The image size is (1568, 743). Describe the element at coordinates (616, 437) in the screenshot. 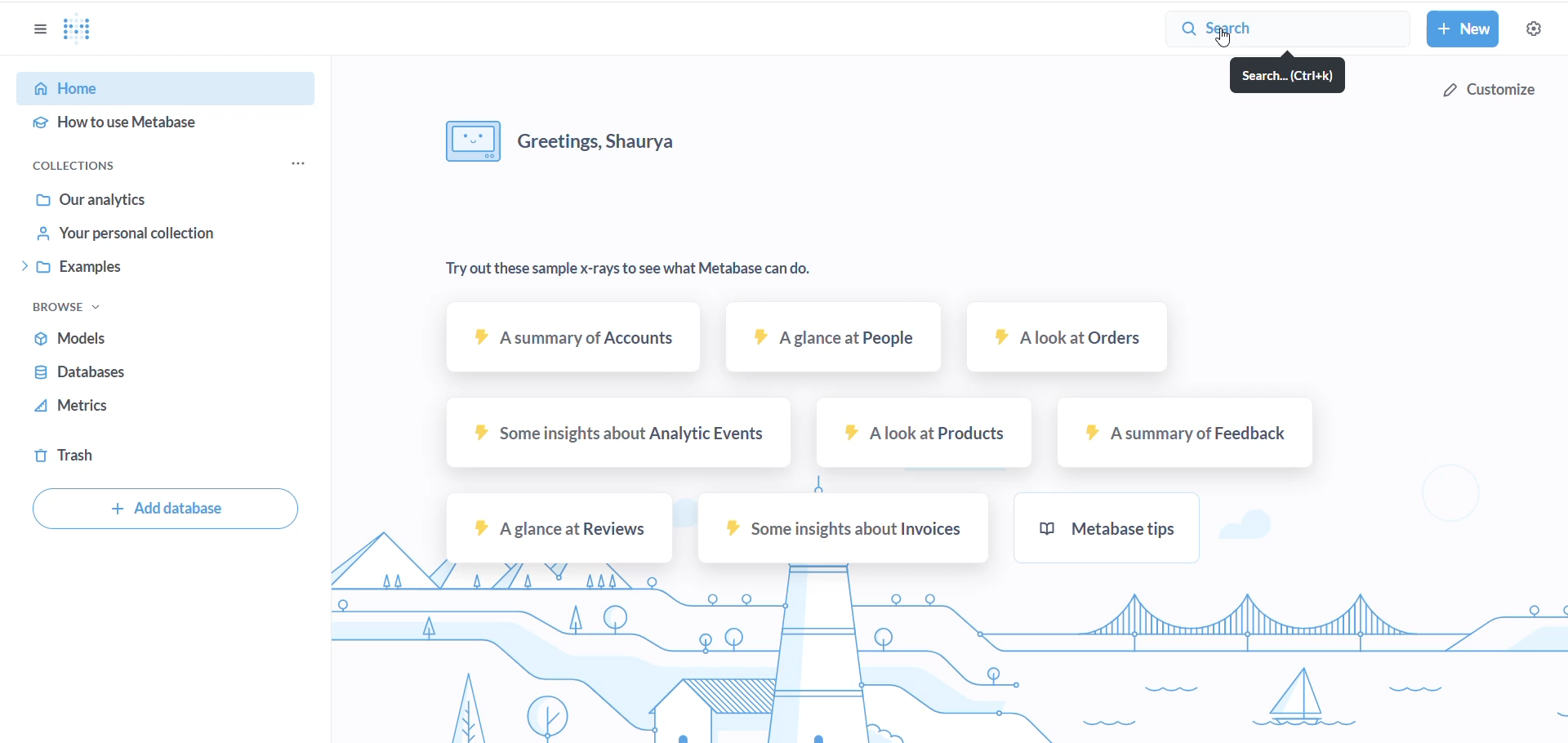

I see `some insights about analytic event ` at that location.